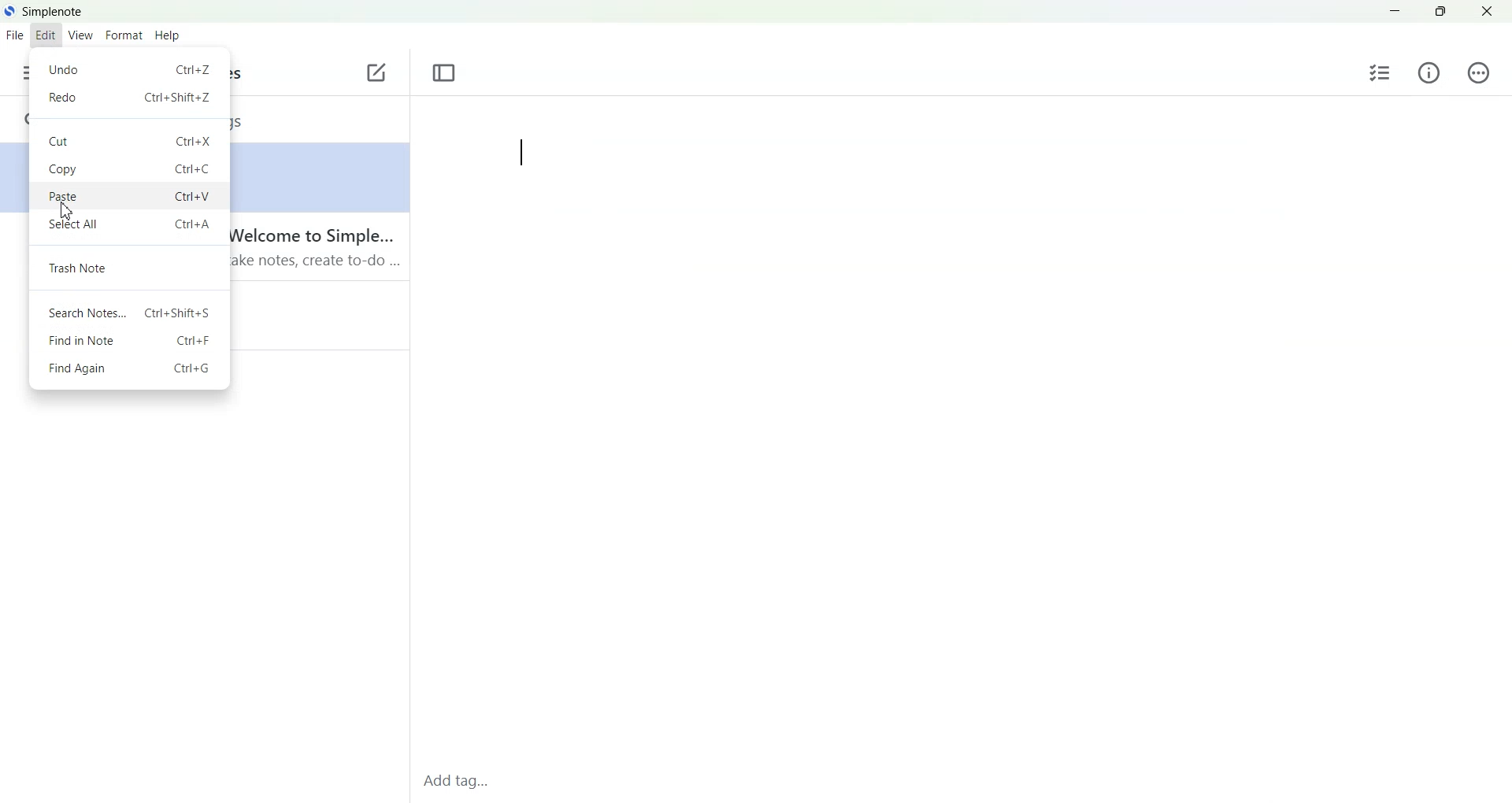  What do you see at coordinates (445, 73) in the screenshot?
I see `Toggle focus mode` at bounding box center [445, 73].